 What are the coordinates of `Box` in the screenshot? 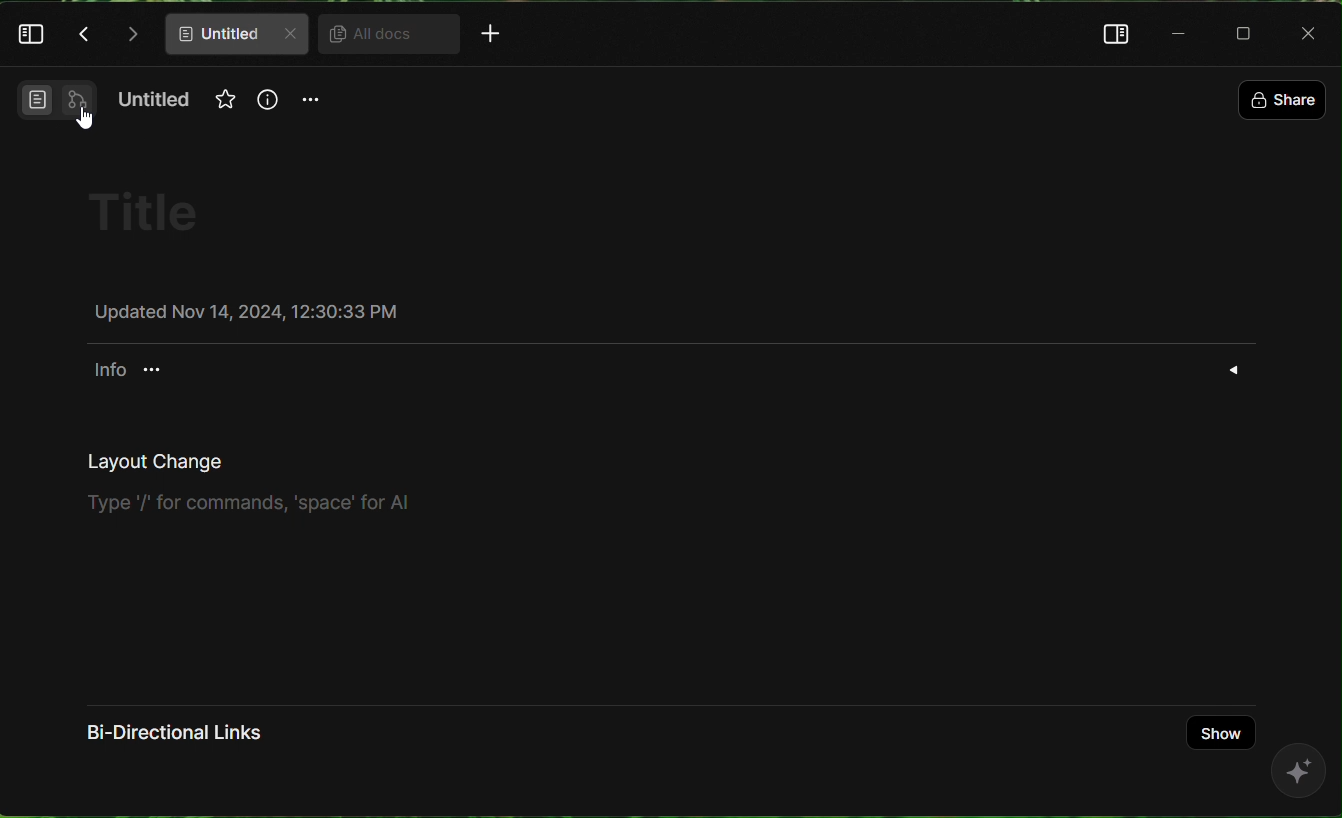 It's located at (1249, 33).